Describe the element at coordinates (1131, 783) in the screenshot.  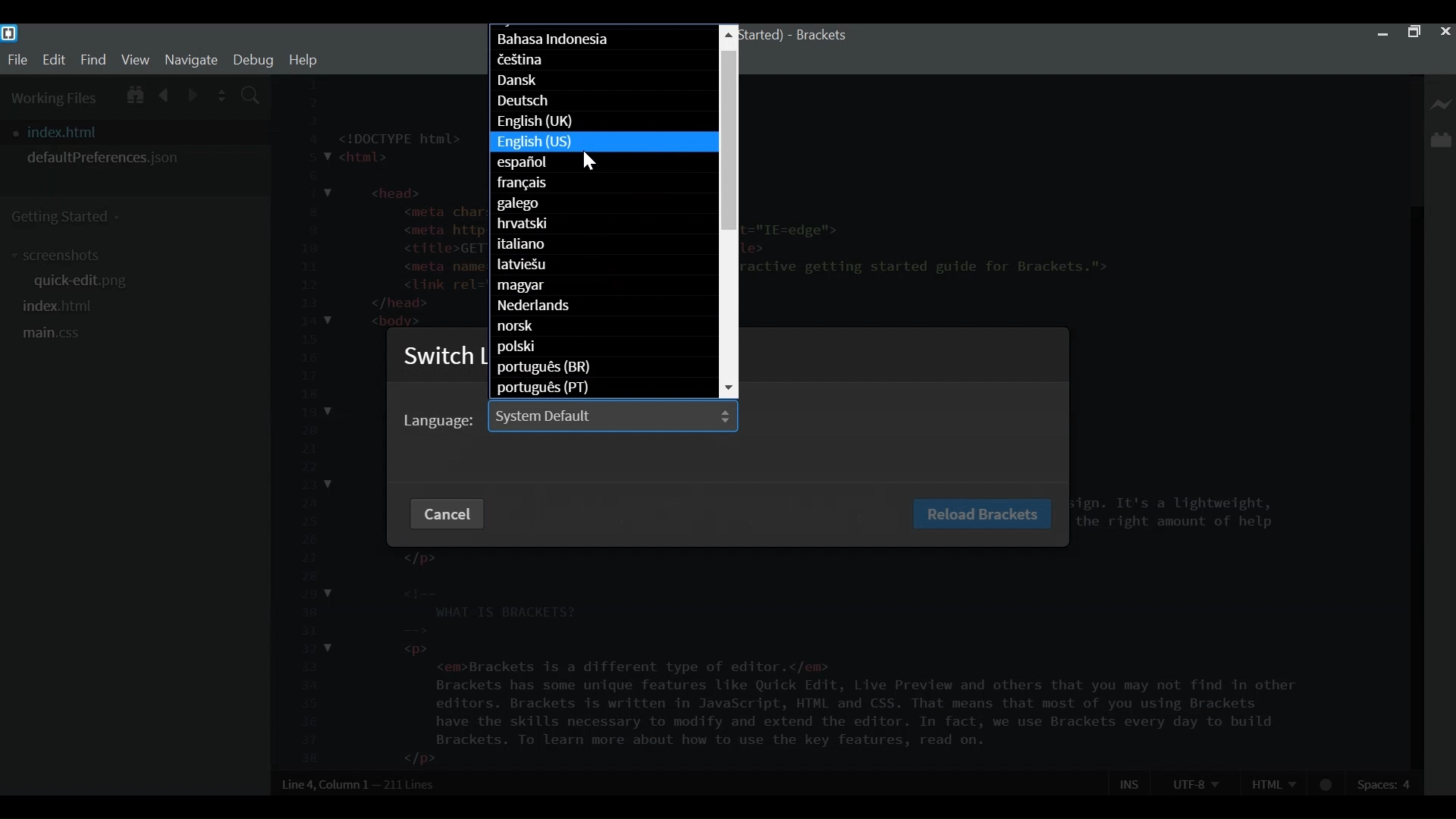
I see `Ins` at that location.